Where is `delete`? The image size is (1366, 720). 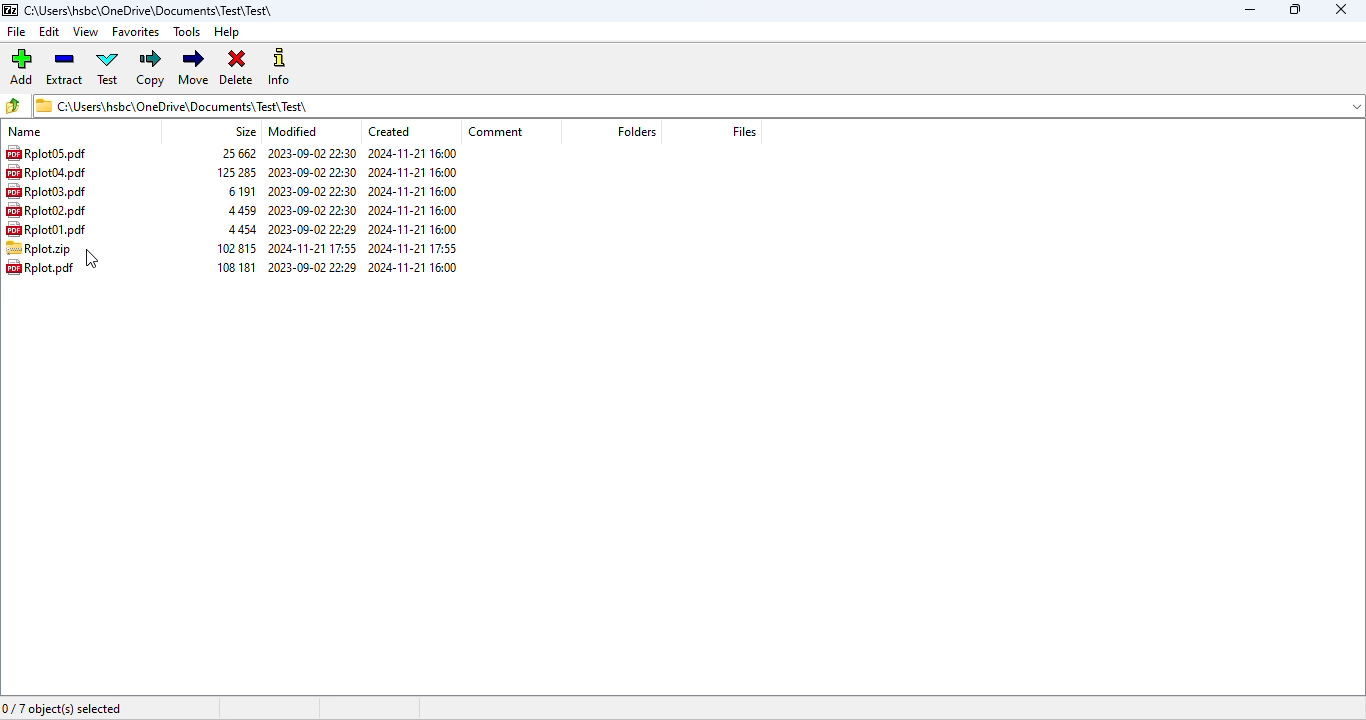 delete is located at coordinates (236, 67).